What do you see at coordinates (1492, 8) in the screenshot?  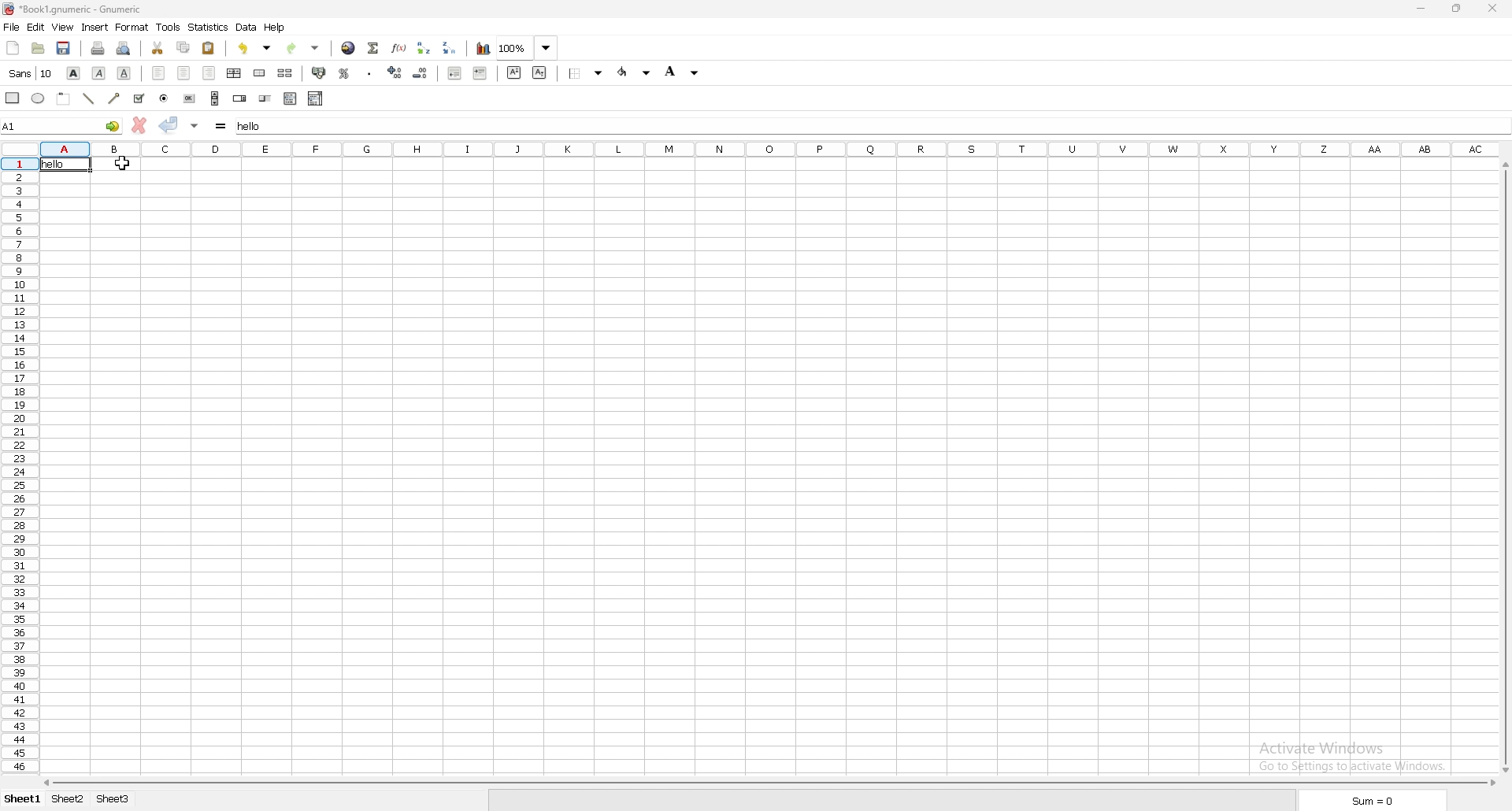 I see `close` at bounding box center [1492, 8].